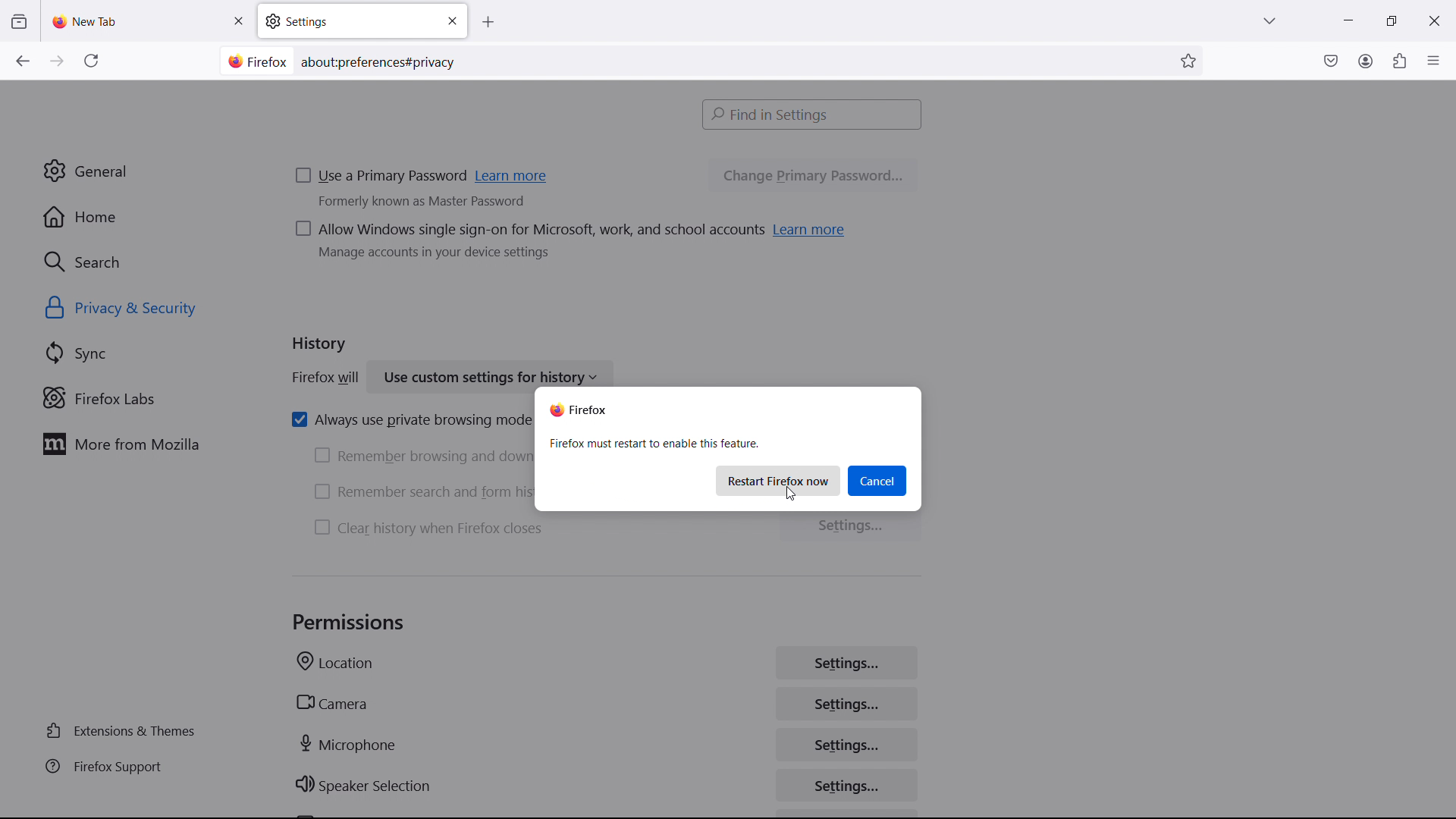 This screenshot has width=1456, height=819. I want to click on home, so click(144, 217).